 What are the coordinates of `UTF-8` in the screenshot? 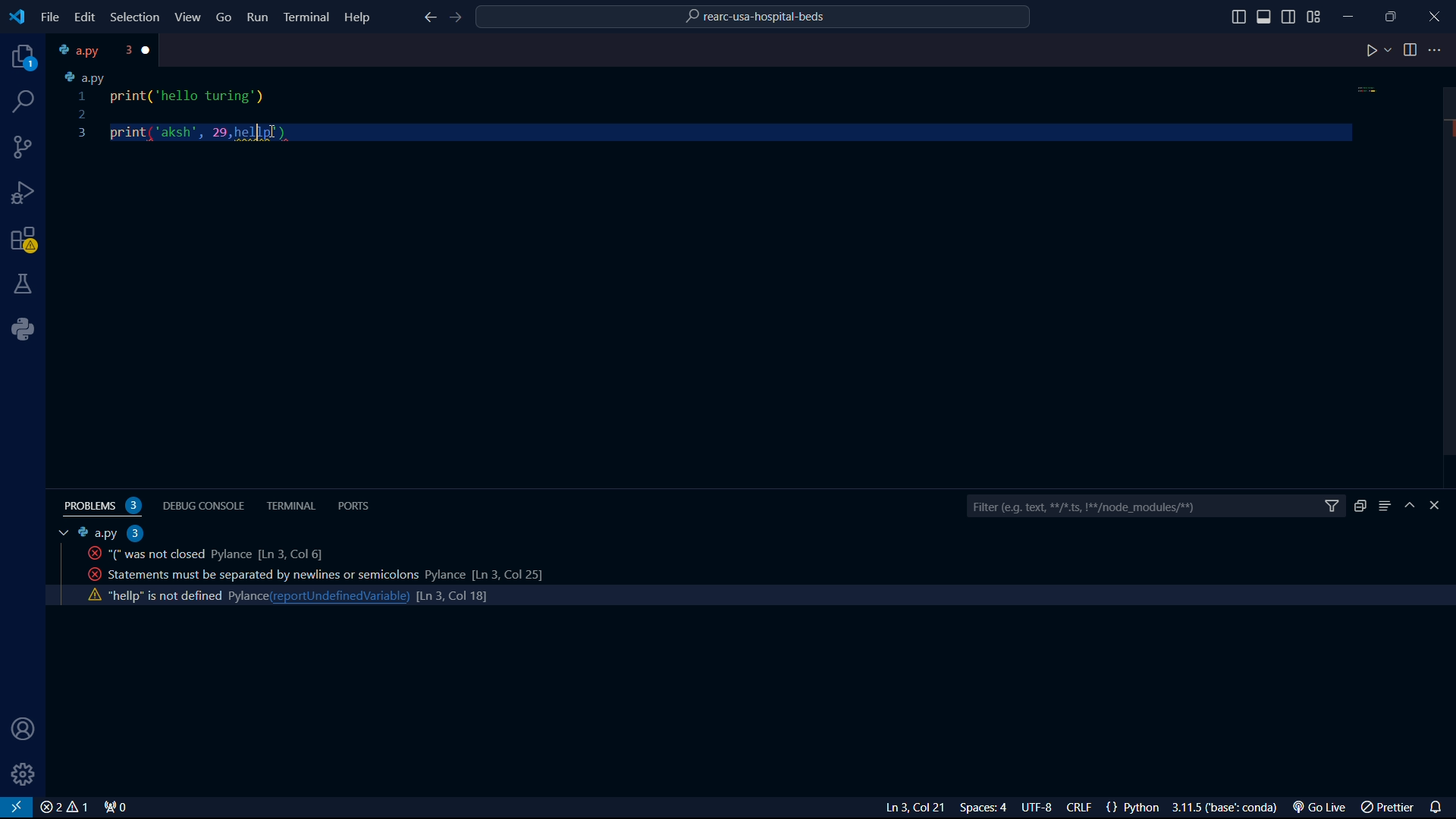 It's located at (1043, 808).